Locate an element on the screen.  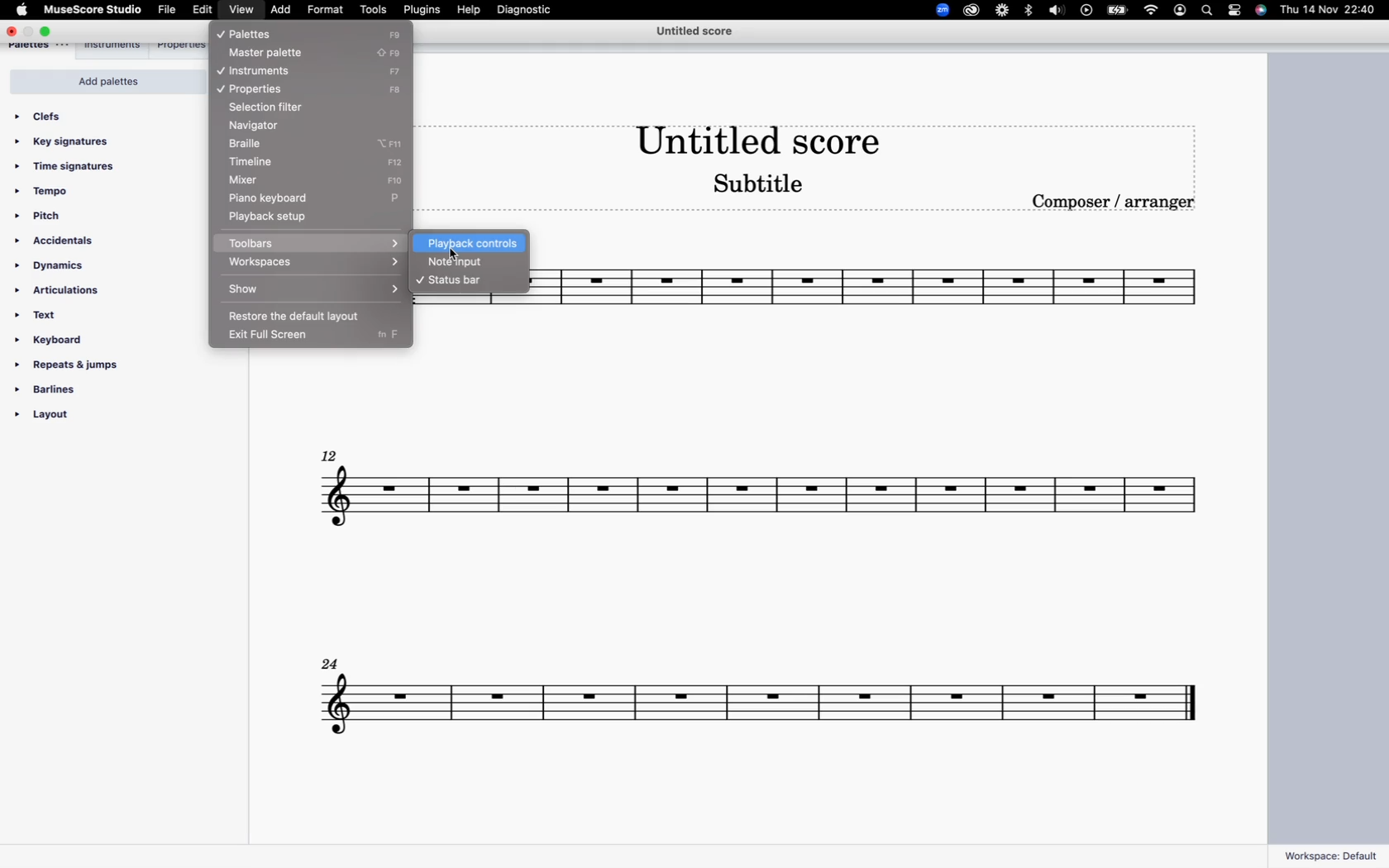
play is located at coordinates (1087, 11).